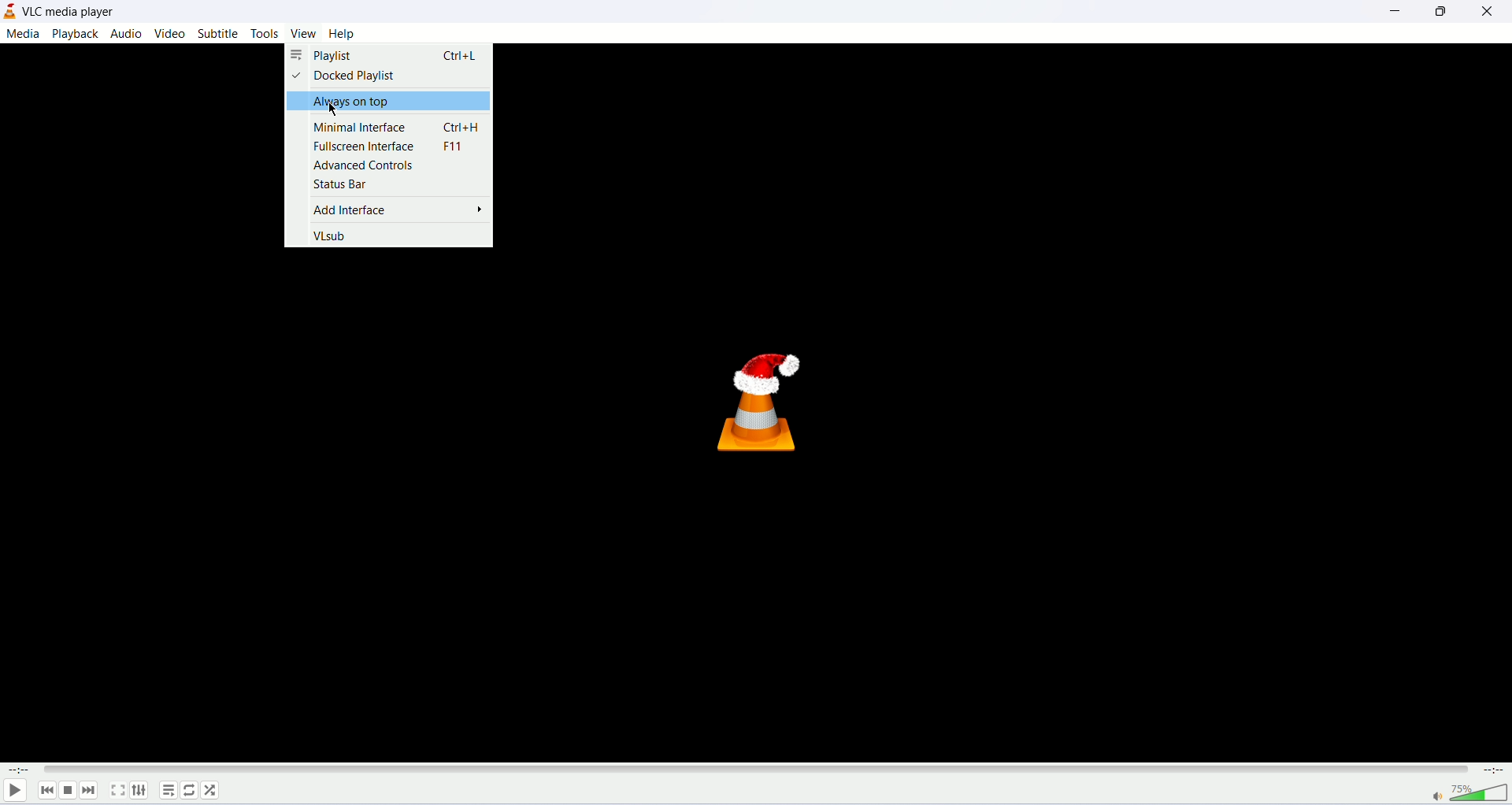 Image resolution: width=1512 pixels, height=805 pixels. I want to click on fullscreen, so click(120, 791).